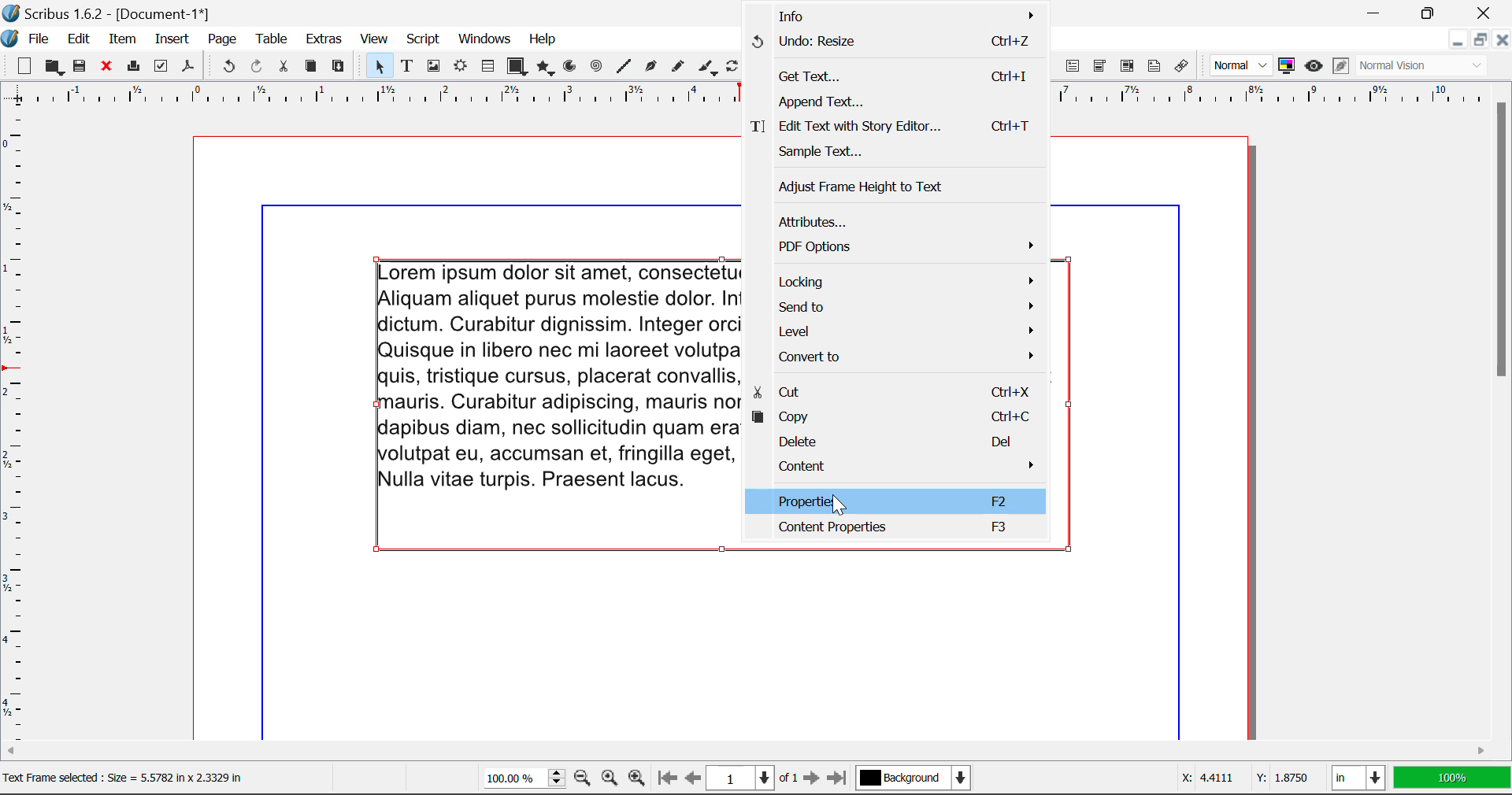 The image size is (1512, 795). I want to click on Minimize, so click(1429, 11).